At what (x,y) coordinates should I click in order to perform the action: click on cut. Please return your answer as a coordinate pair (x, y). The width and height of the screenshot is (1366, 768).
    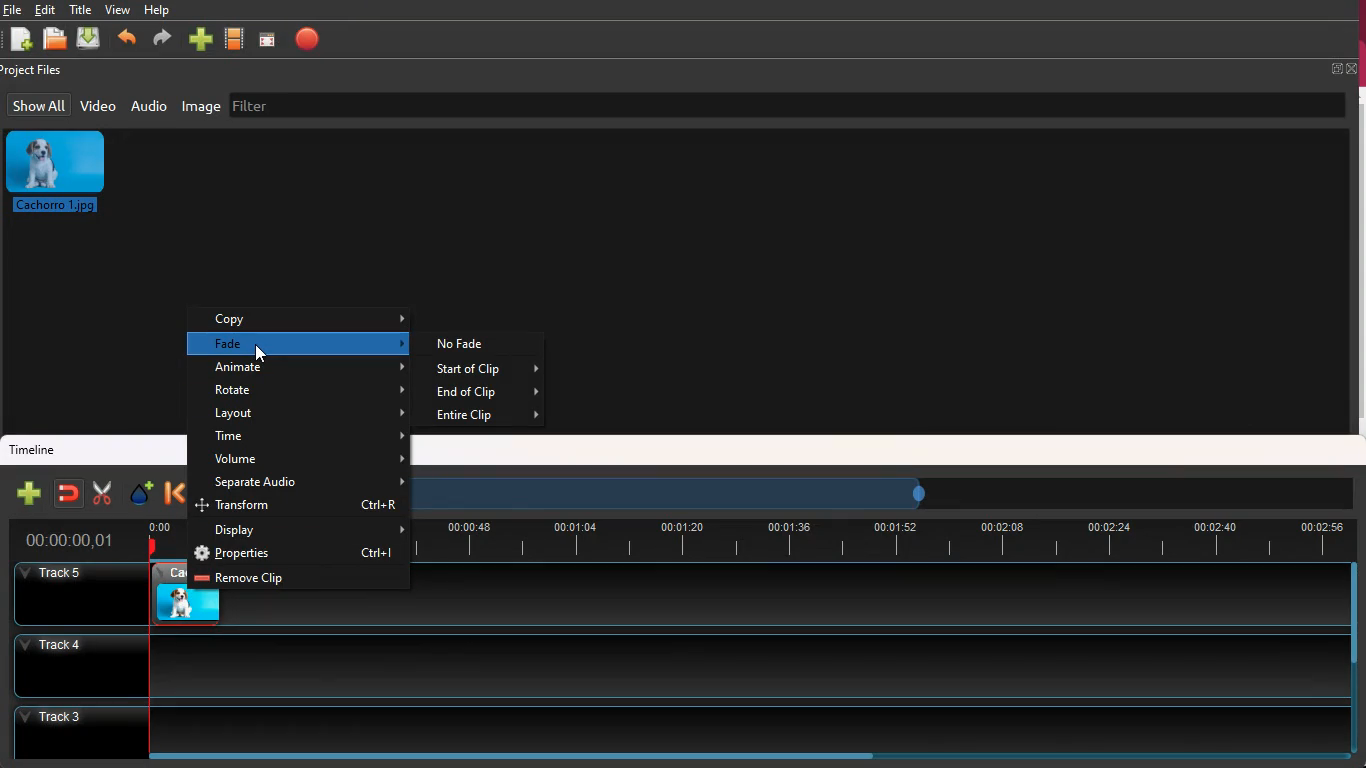
    Looking at the image, I should click on (101, 491).